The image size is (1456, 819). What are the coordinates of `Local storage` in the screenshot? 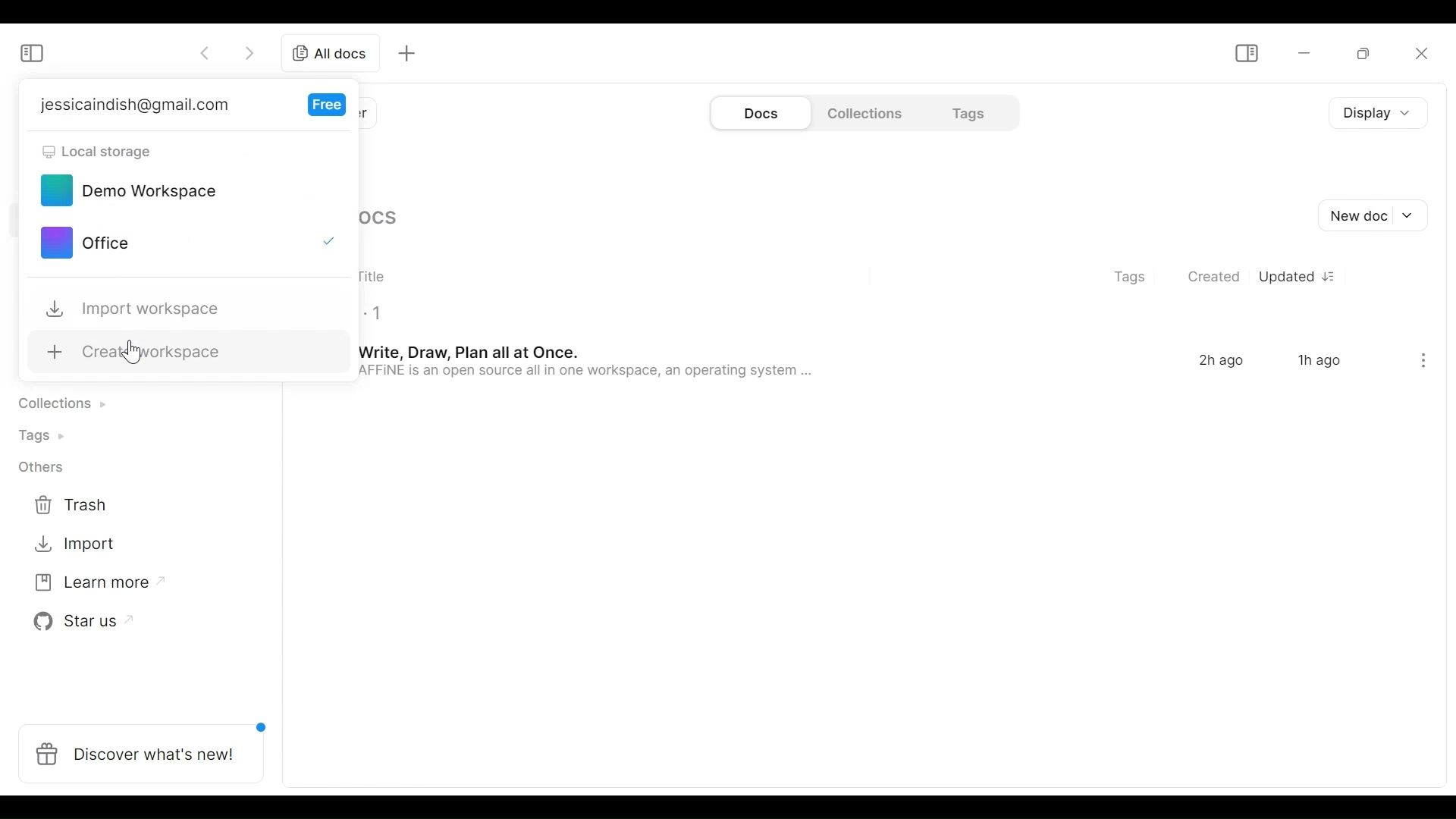 It's located at (99, 149).